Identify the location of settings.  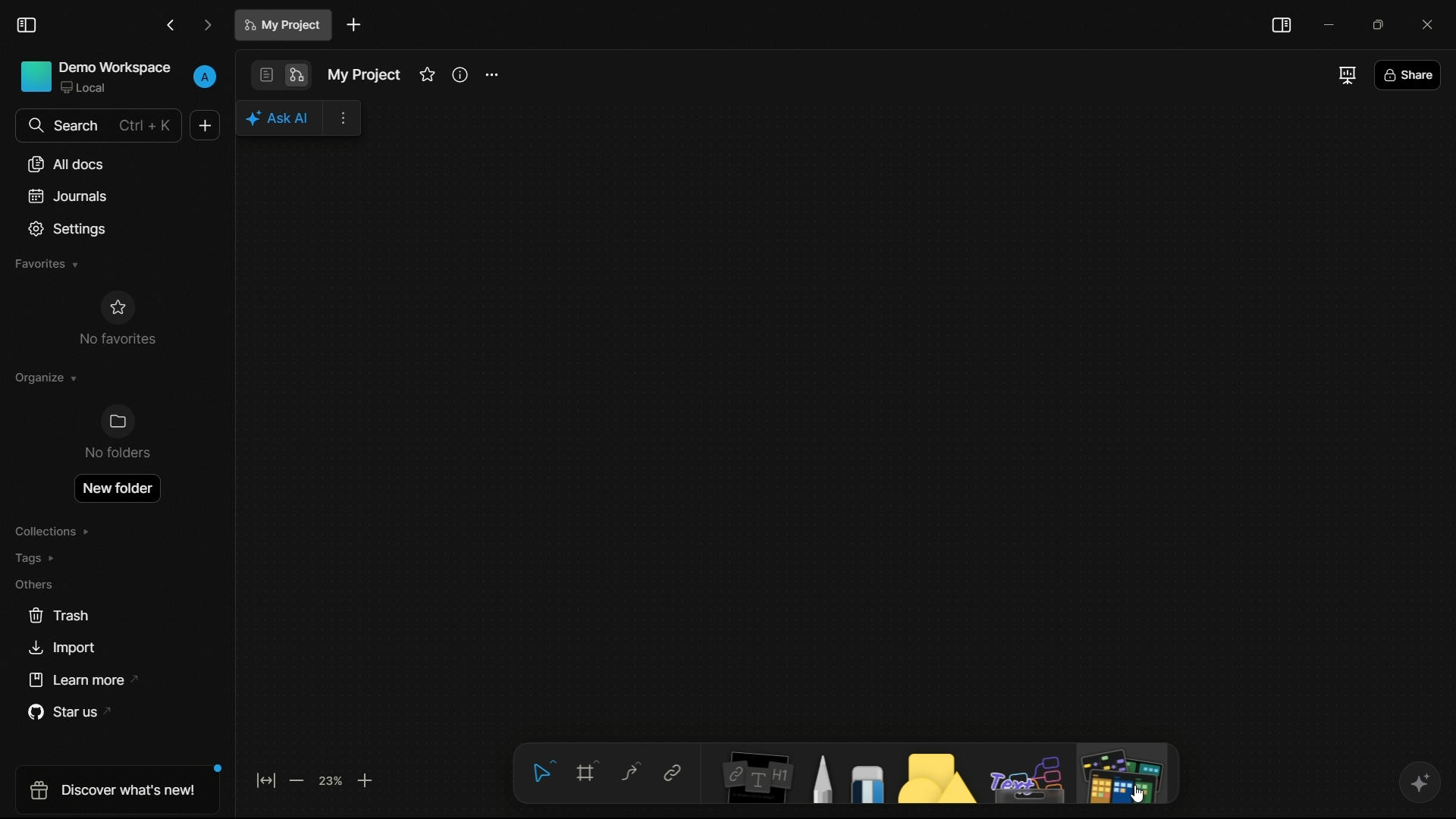
(491, 76).